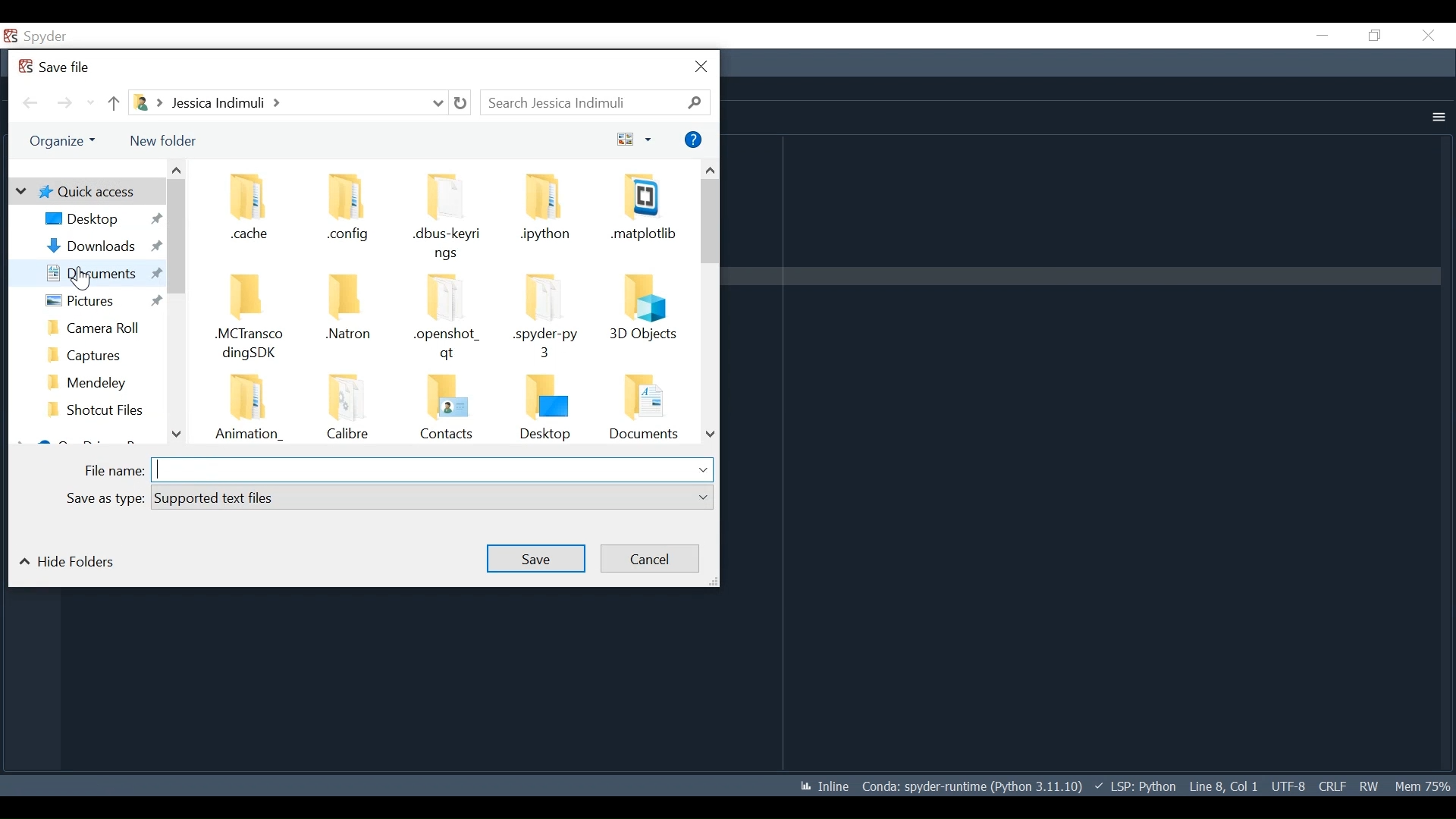 This screenshot has height=819, width=1456. What do you see at coordinates (30, 103) in the screenshot?
I see `Navigate back` at bounding box center [30, 103].